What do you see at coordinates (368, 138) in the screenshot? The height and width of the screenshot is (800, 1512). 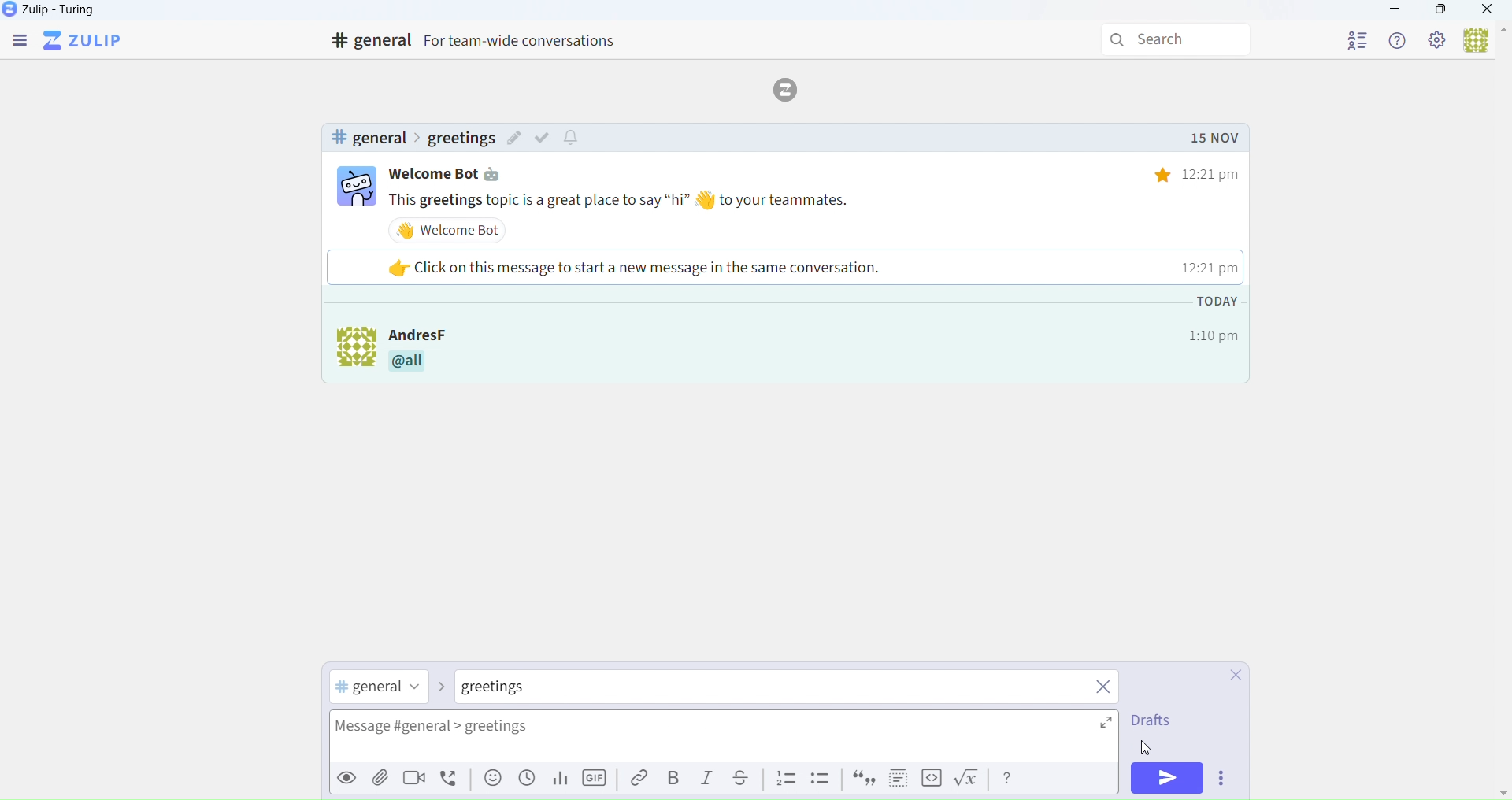 I see `general` at bounding box center [368, 138].